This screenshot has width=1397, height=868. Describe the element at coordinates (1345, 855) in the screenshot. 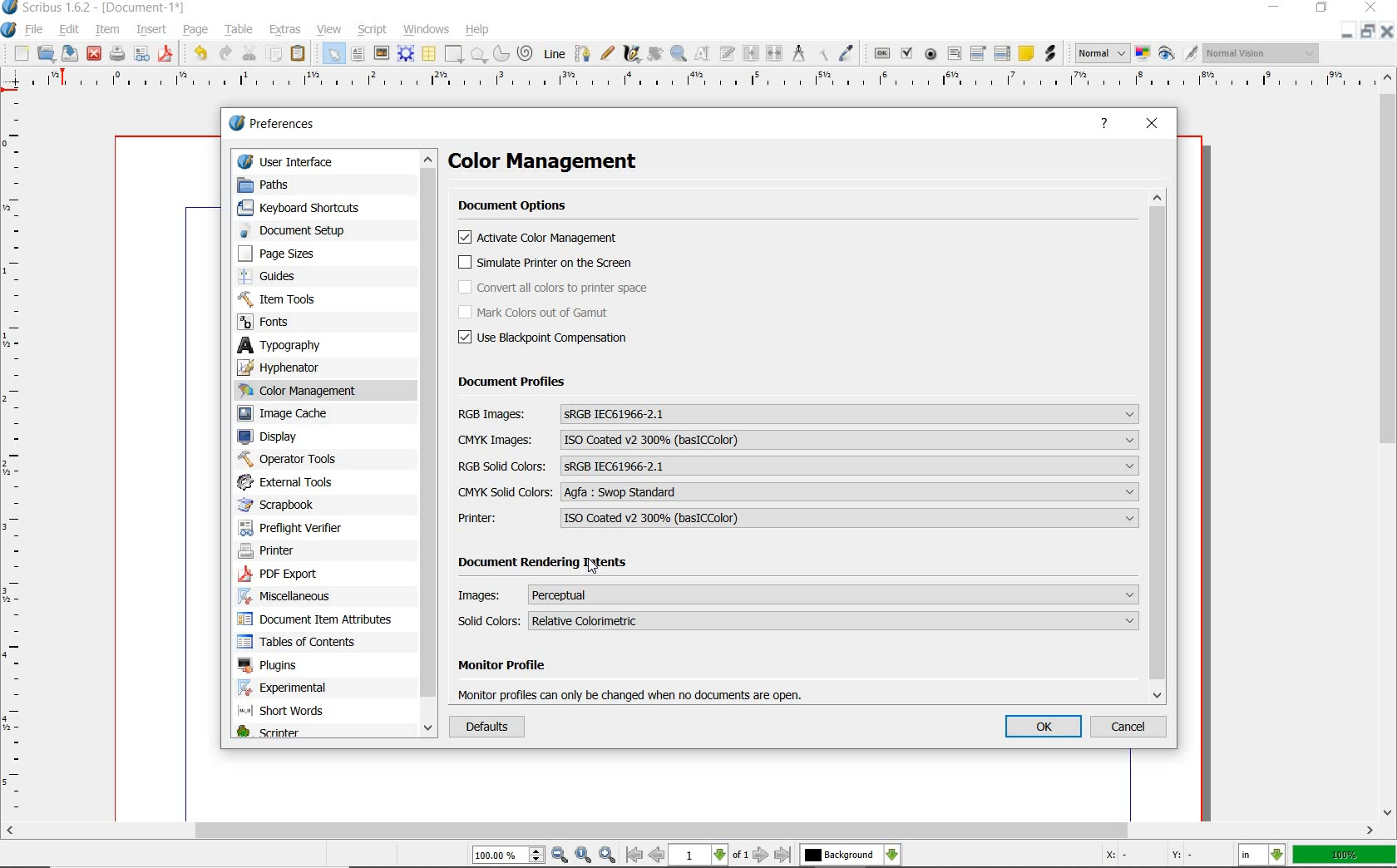

I see `zoom factor` at that location.